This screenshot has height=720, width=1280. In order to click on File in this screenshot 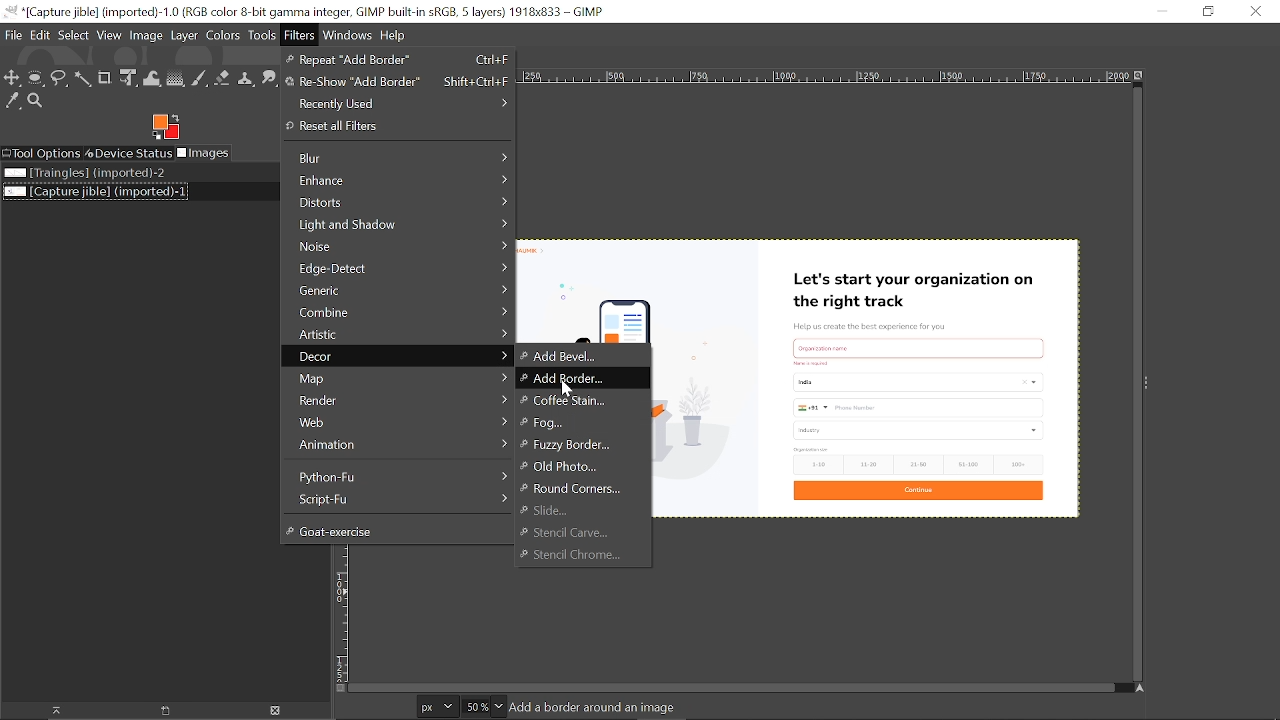, I will do `click(14, 35)`.